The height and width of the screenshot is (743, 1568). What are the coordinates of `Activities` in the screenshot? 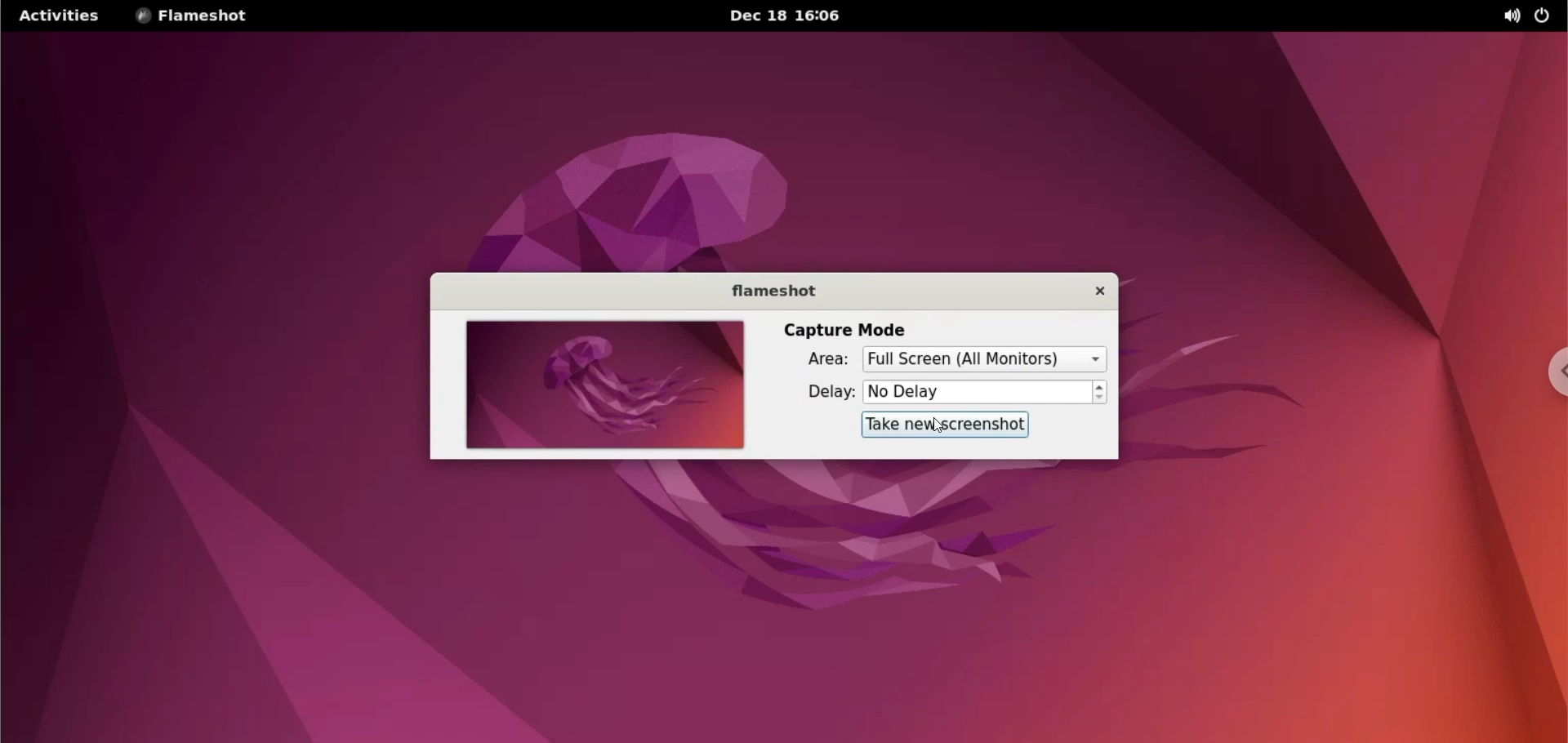 It's located at (56, 16).